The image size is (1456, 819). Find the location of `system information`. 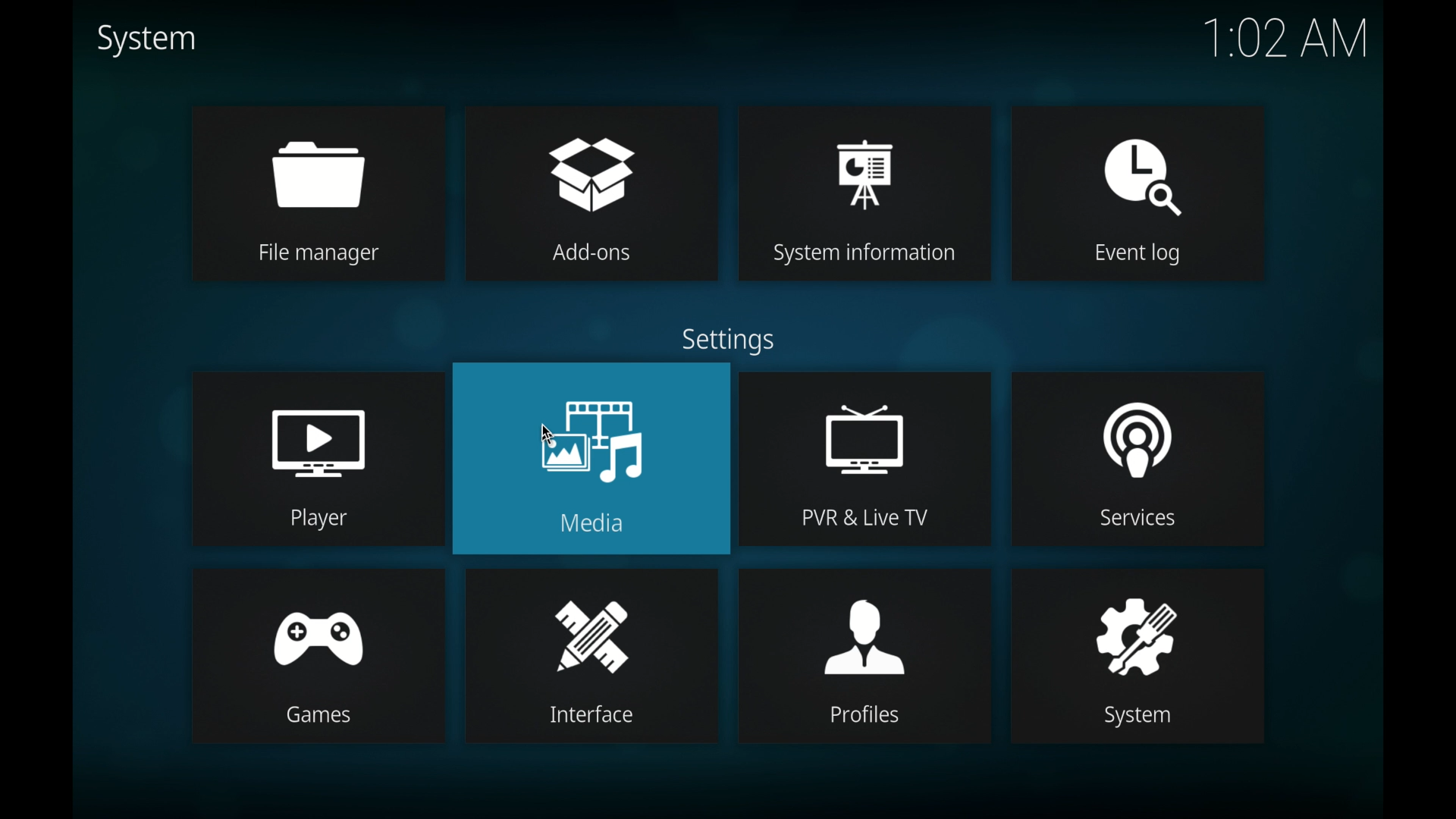

system information is located at coordinates (866, 160).